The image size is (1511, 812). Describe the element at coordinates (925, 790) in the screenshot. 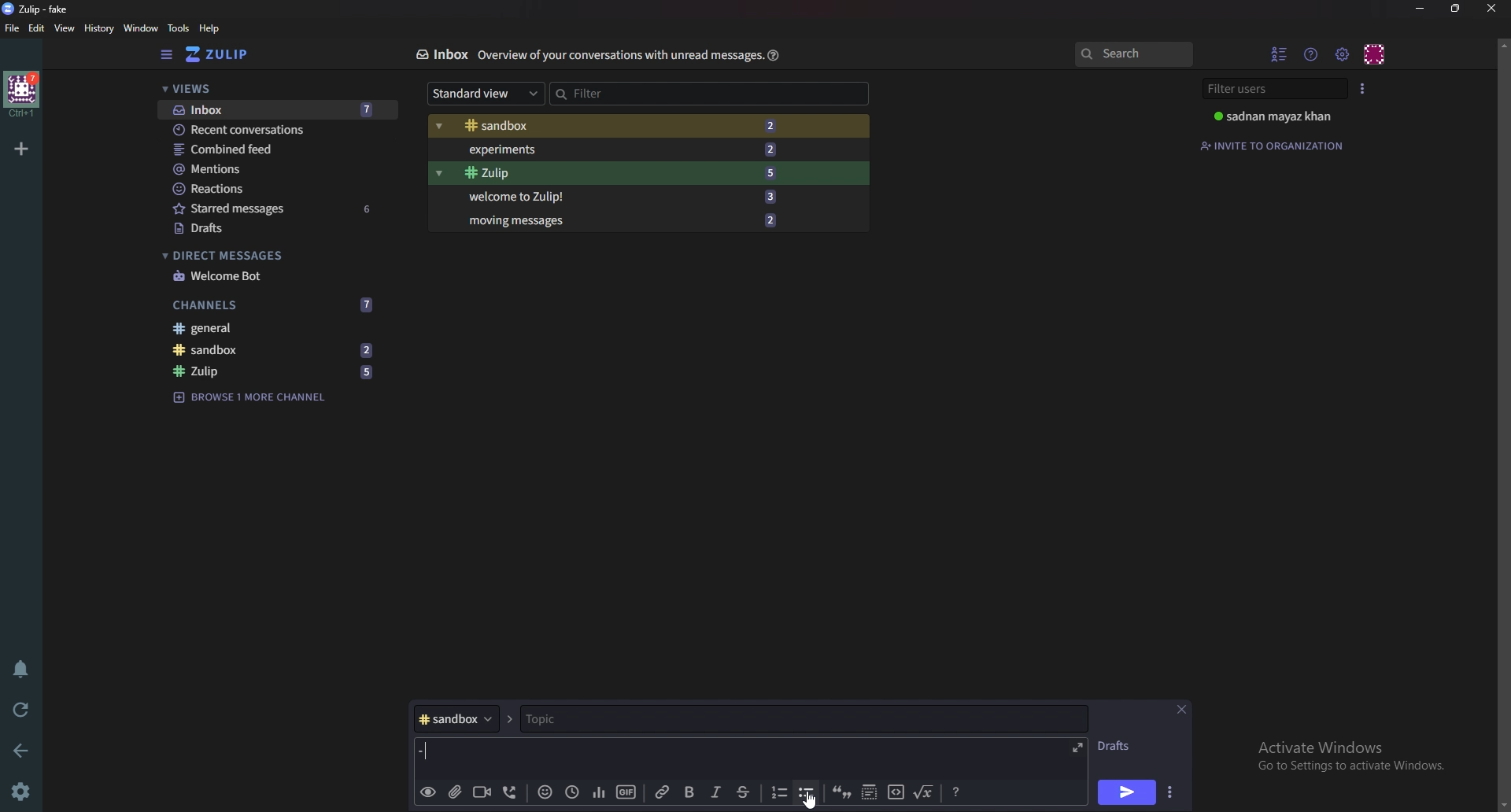

I see `Math` at that location.